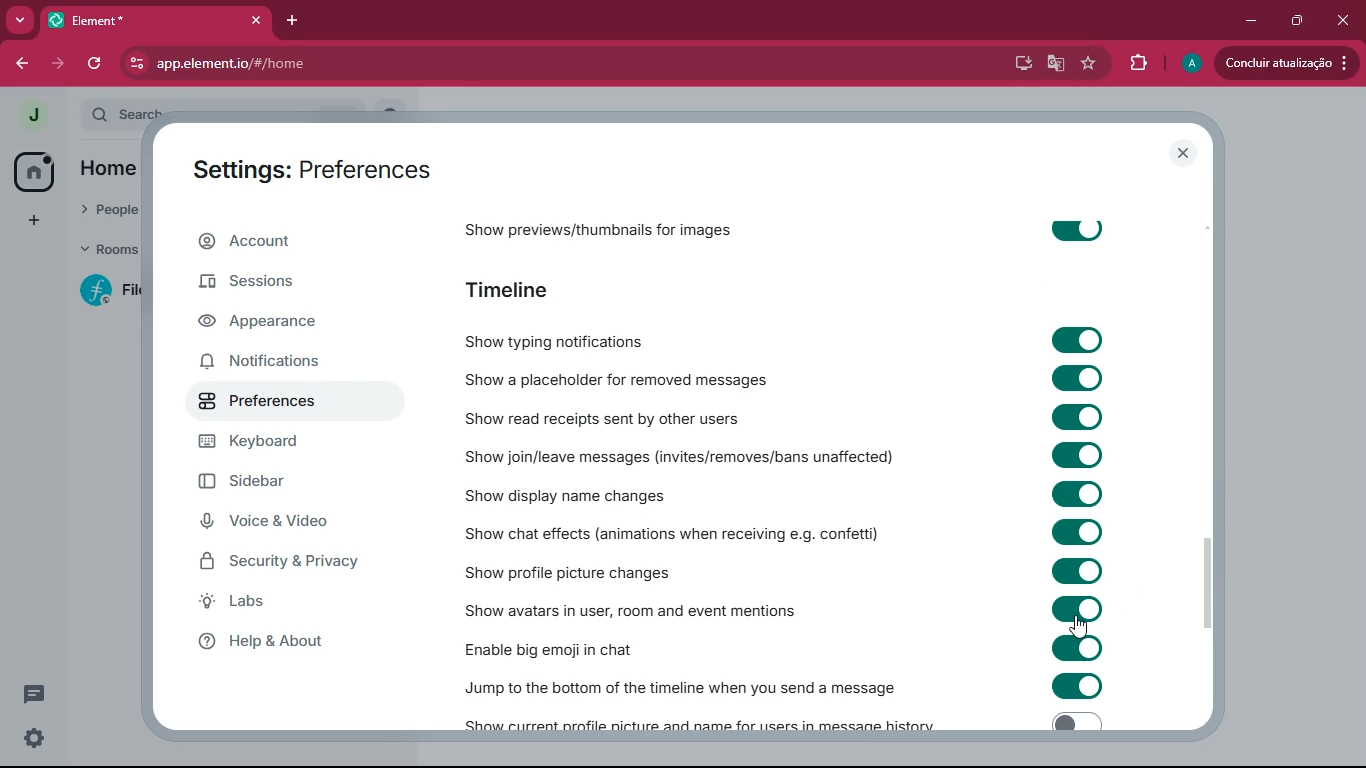 This screenshot has height=768, width=1366. Describe the element at coordinates (280, 325) in the screenshot. I see `appearance` at that location.